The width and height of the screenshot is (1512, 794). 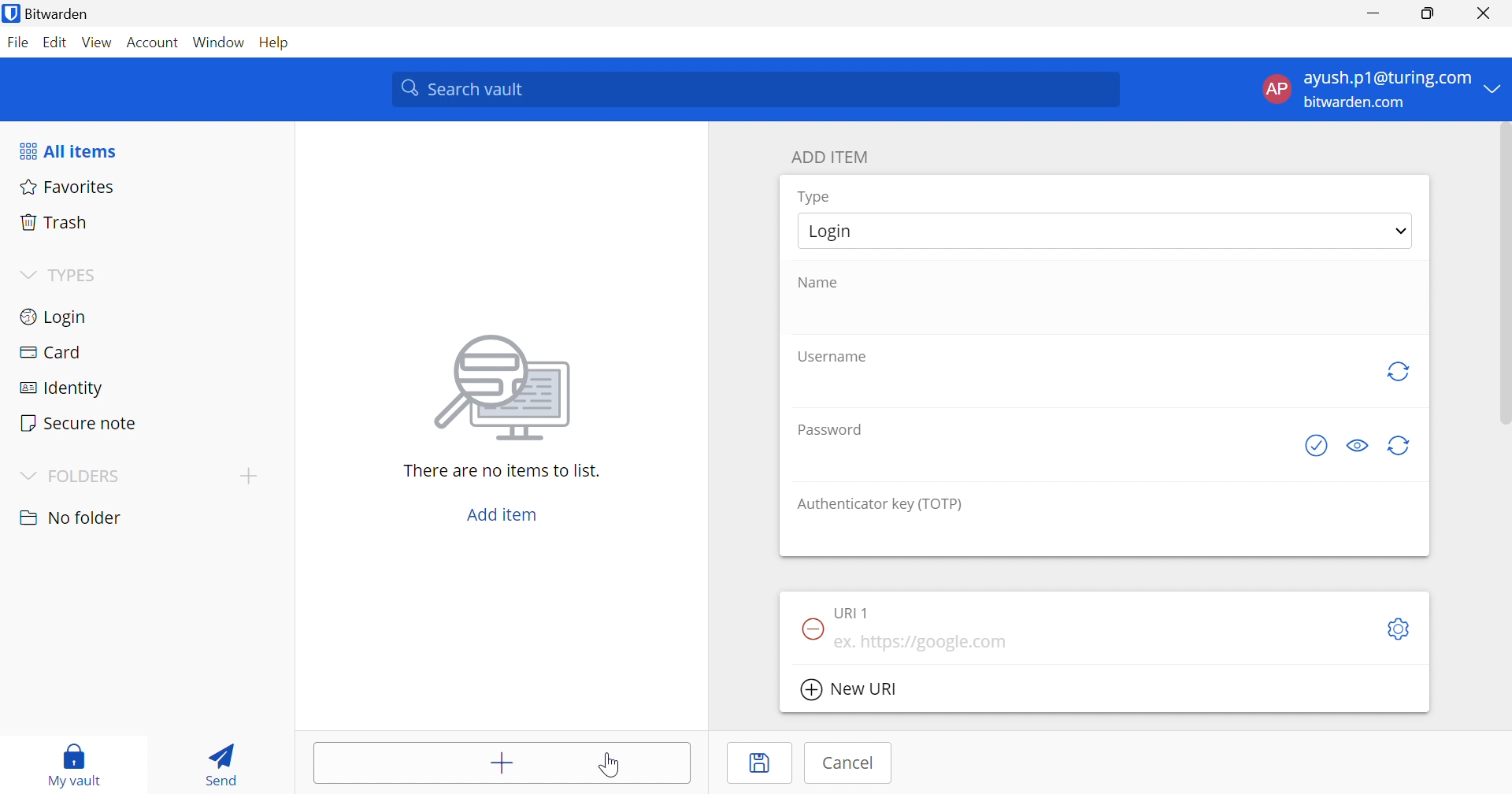 What do you see at coordinates (18, 43) in the screenshot?
I see `File` at bounding box center [18, 43].